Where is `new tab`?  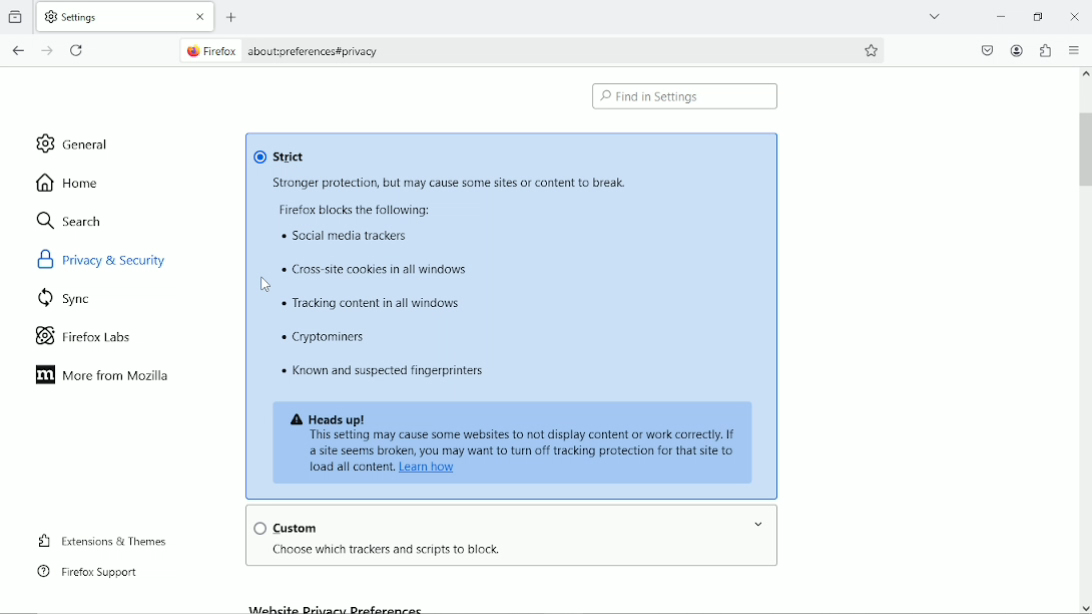 new tab is located at coordinates (233, 18).